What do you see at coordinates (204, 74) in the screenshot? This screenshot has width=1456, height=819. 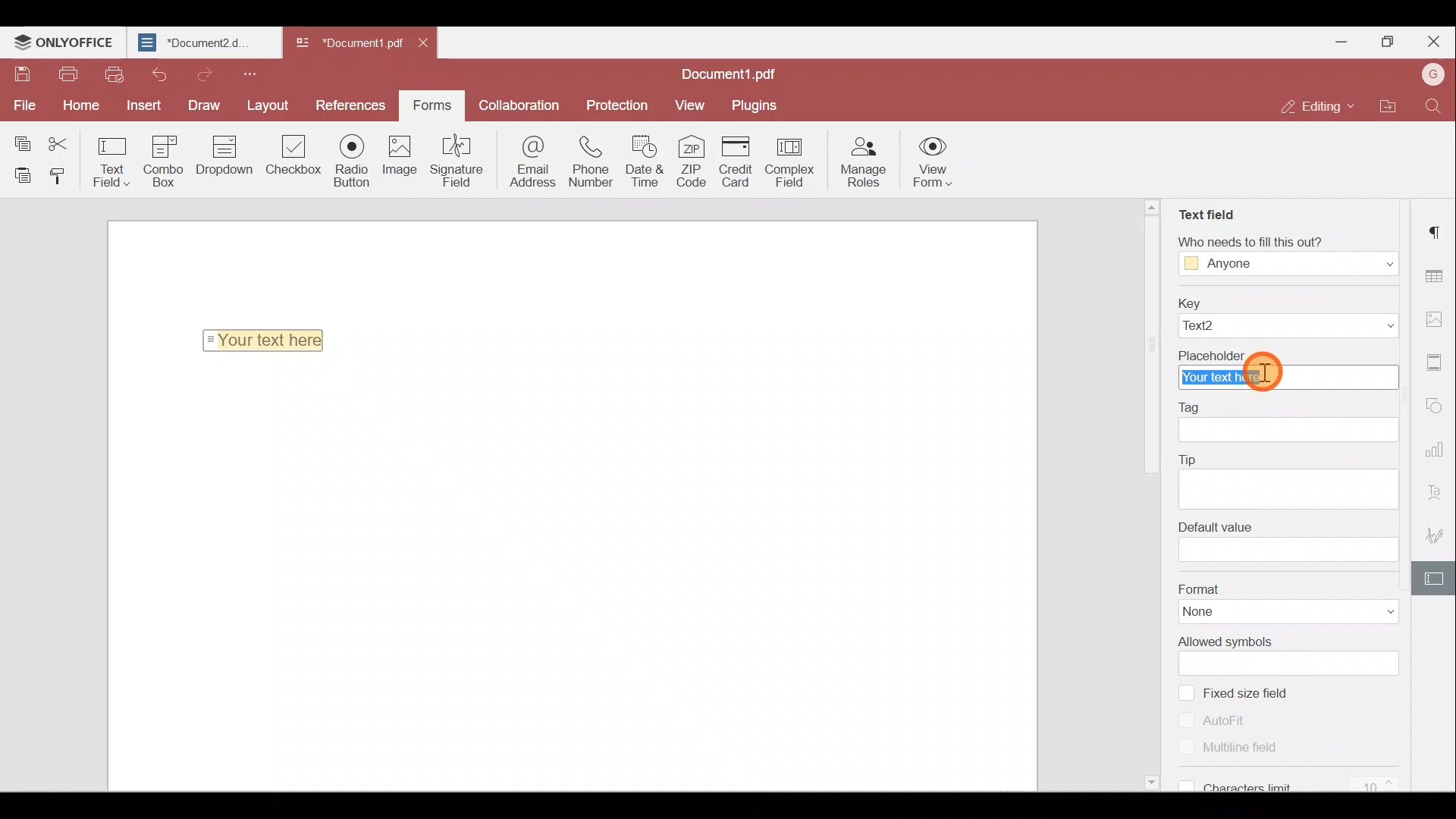 I see `Redo` at bounding box center [204, 74].